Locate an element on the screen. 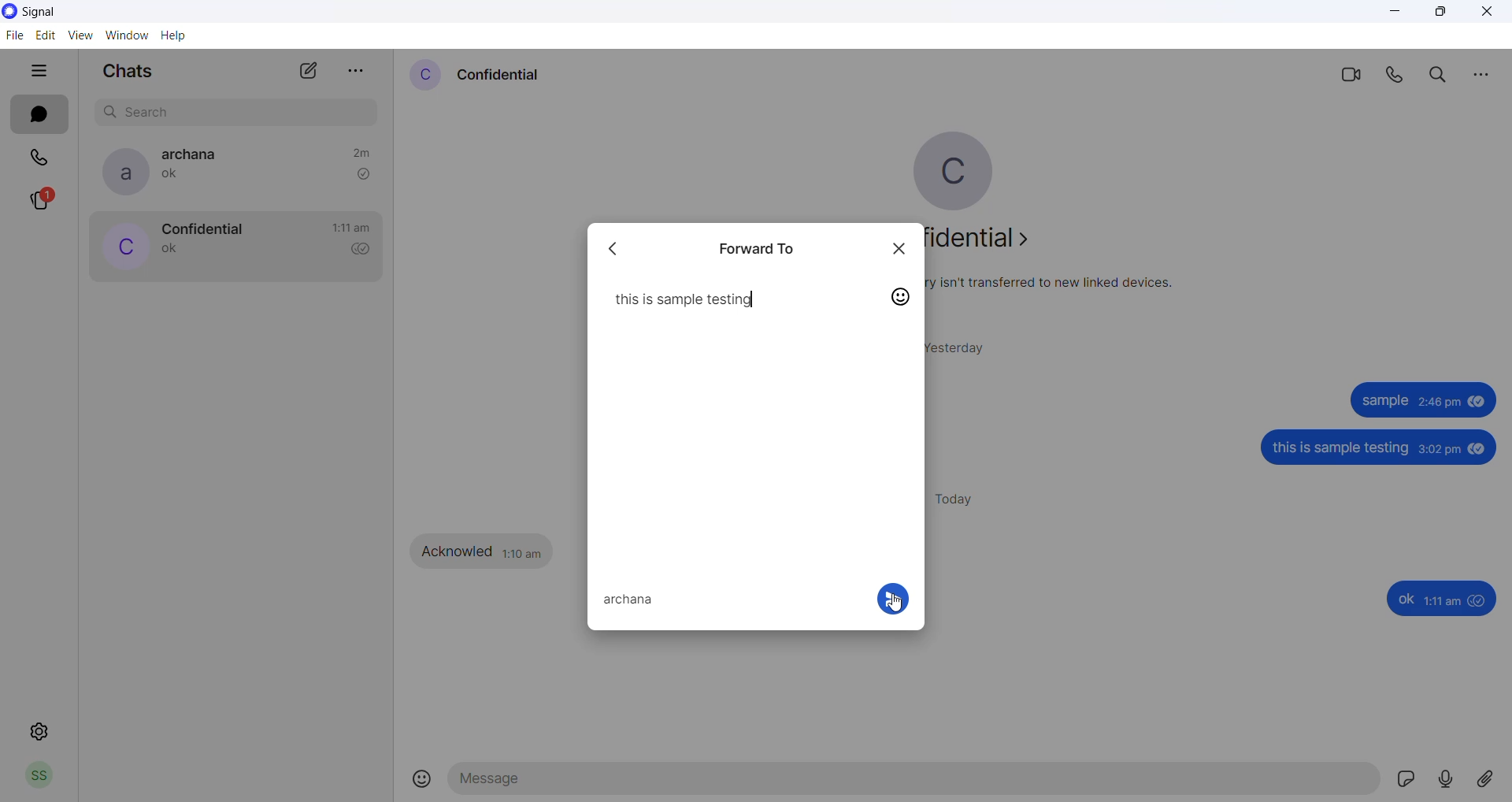 Image resolution: width=1512 pixels, height=802 pixels. cursor is located at coordinates (894, 604).